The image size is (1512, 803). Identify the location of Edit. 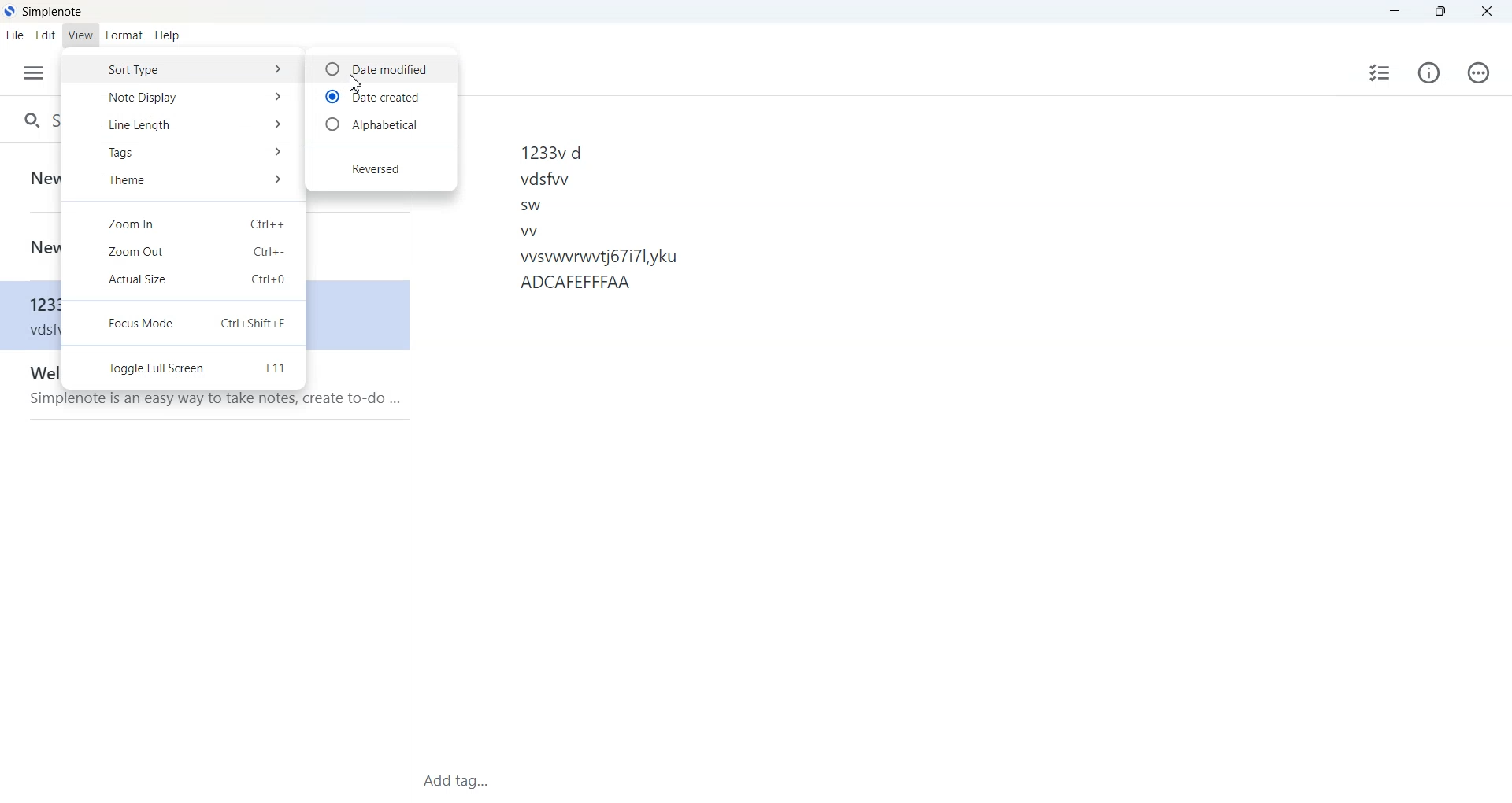
(46, 36).